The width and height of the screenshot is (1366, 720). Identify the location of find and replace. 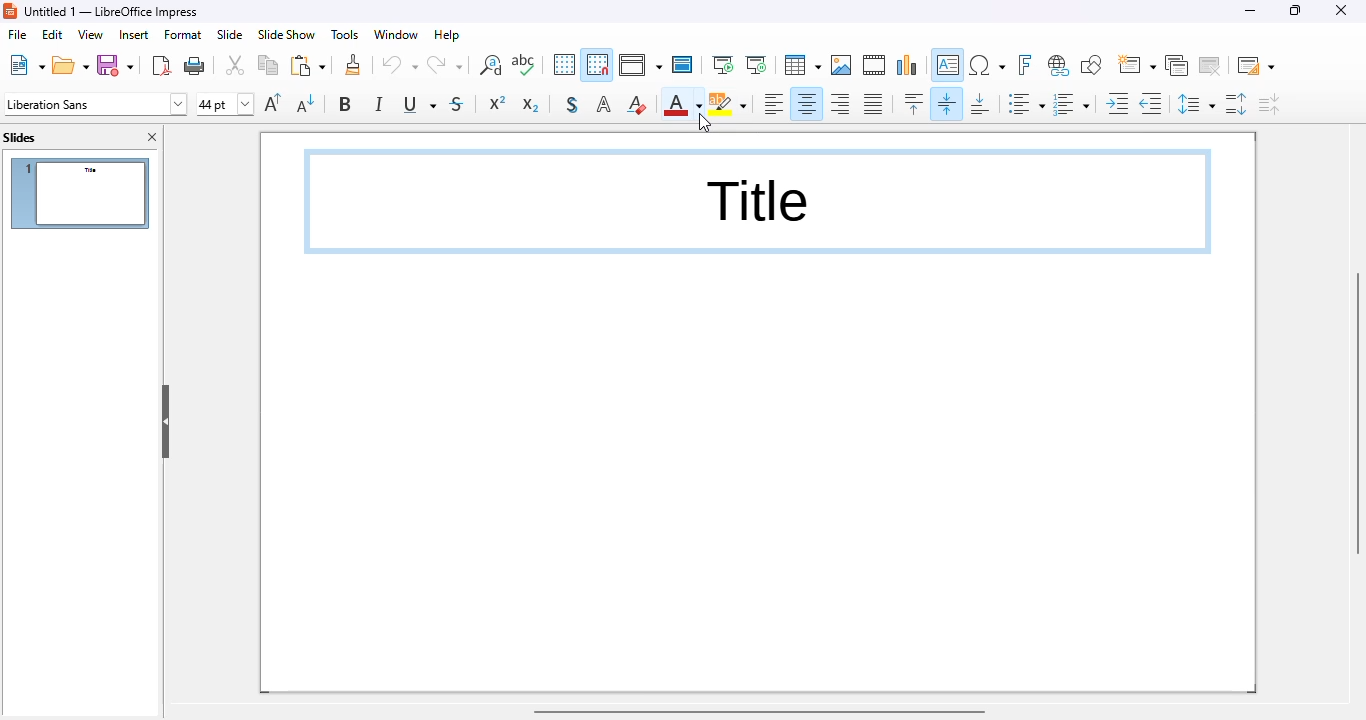
(491, 65).